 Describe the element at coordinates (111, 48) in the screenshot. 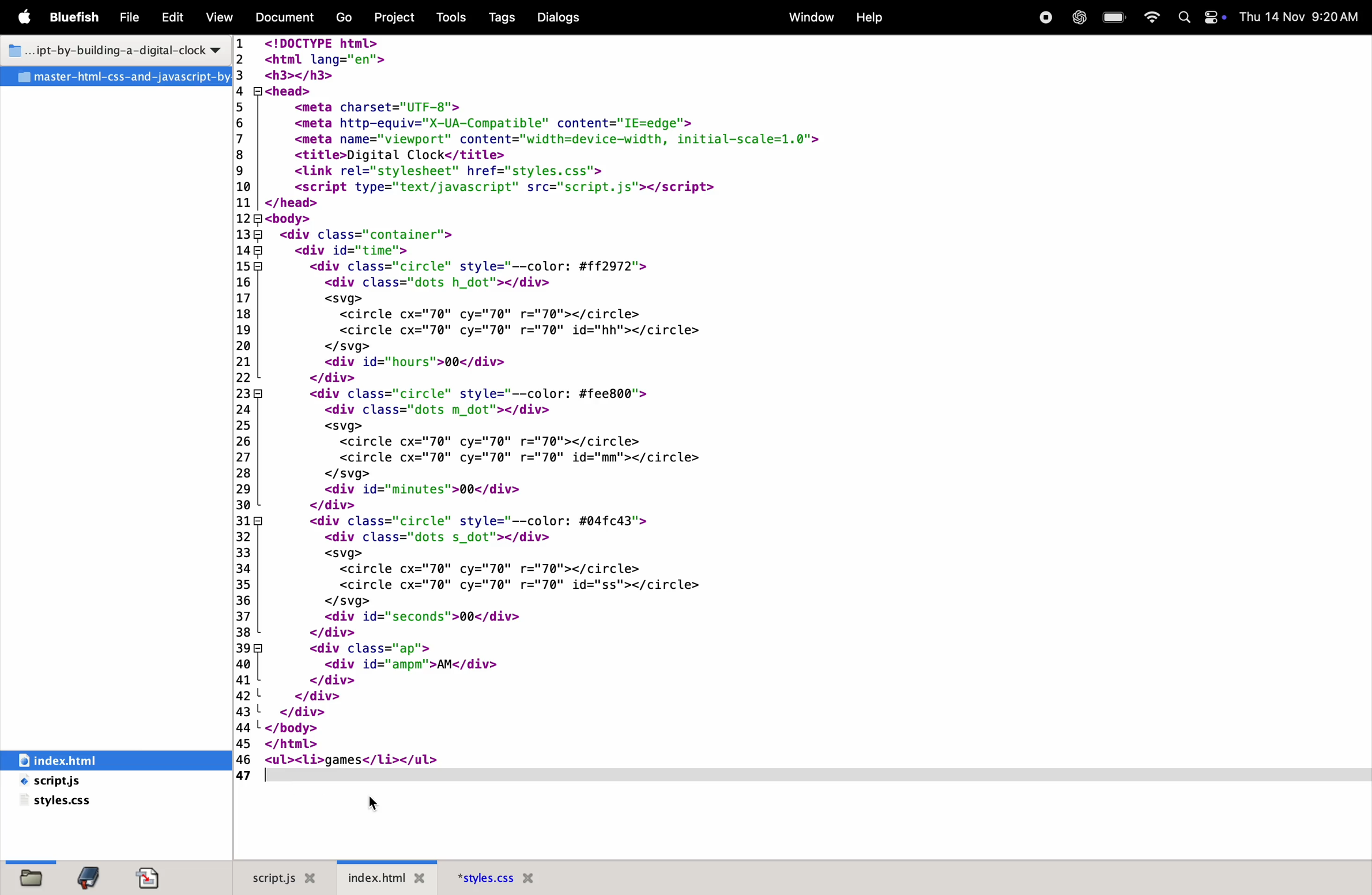

I see `title` at that location.